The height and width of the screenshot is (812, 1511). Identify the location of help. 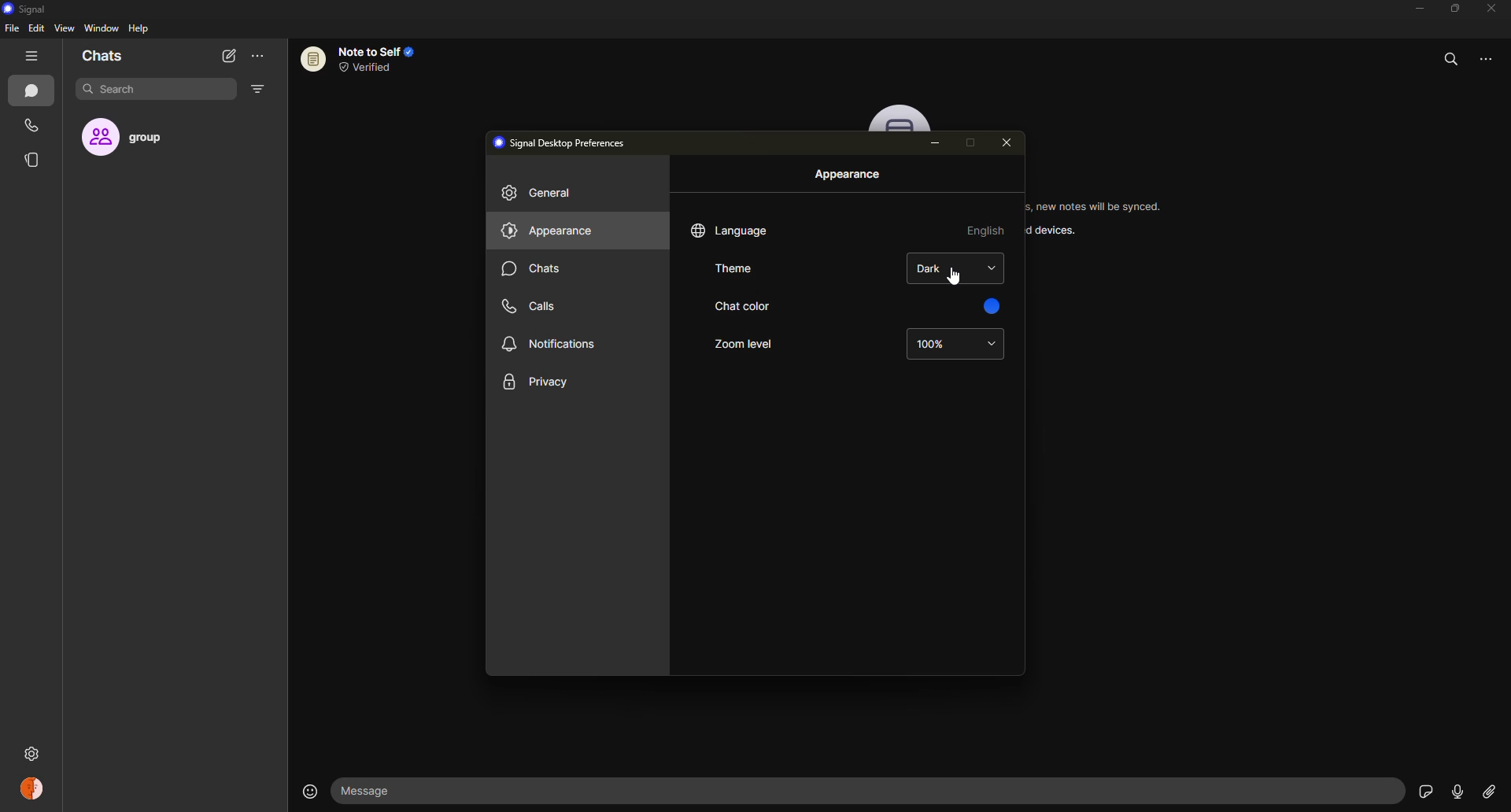
(140, 28).